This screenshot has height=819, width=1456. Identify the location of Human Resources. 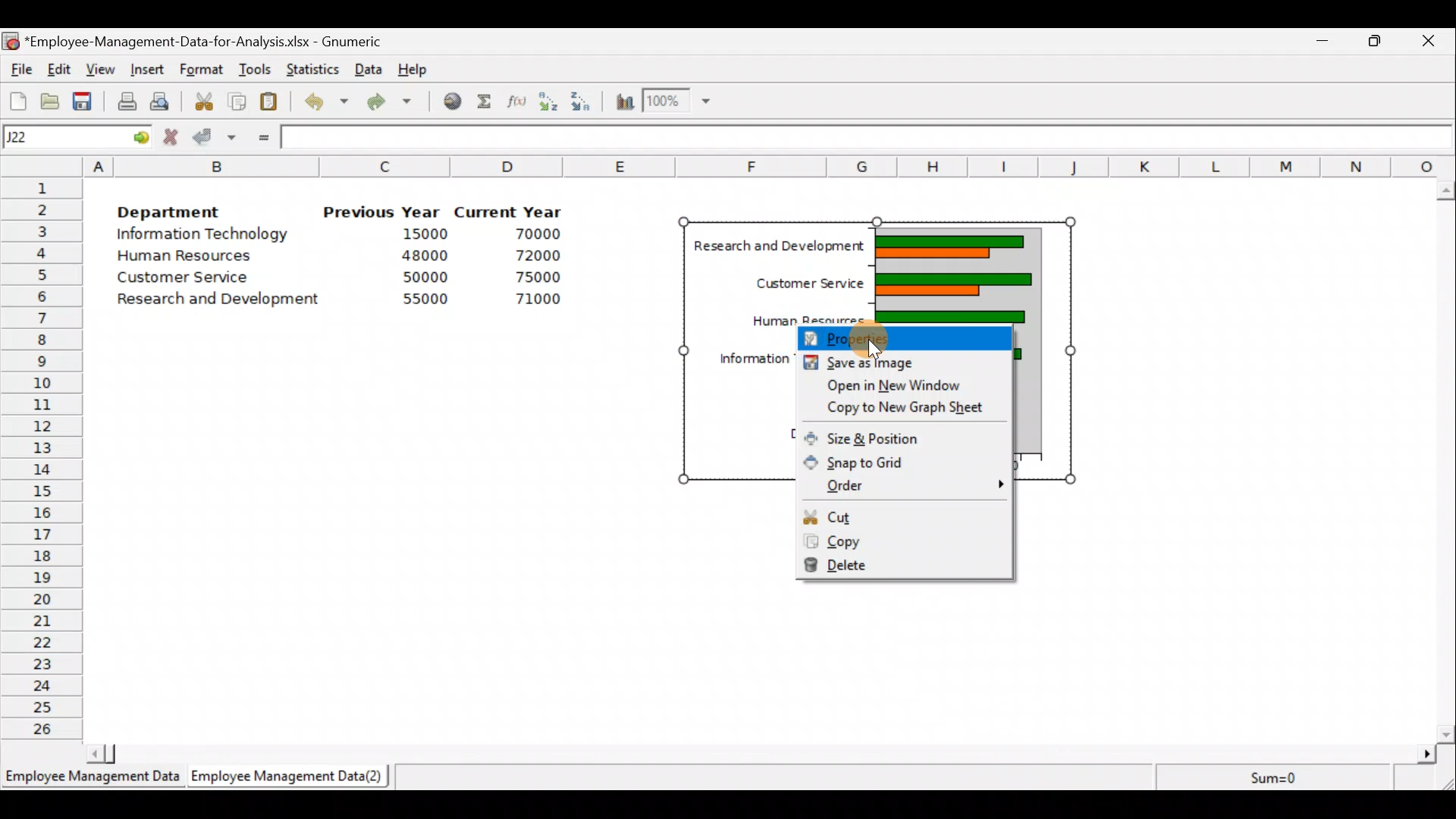
(196, 257).